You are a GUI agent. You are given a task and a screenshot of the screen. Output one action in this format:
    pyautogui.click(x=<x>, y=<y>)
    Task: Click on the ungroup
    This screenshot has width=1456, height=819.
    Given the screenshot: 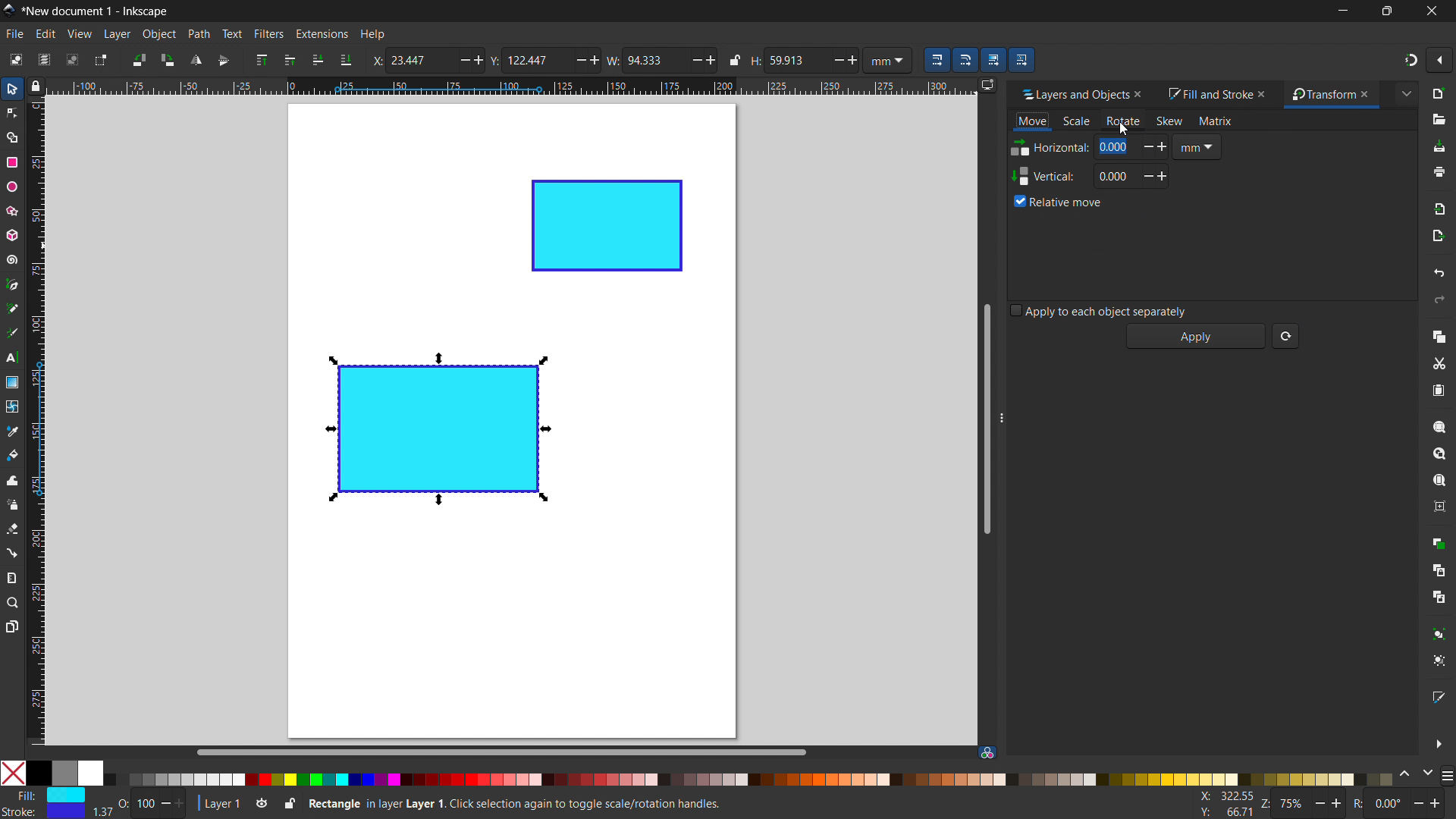 What is the action you would take?
    pyautogui.click(x=1441, y=661)
    